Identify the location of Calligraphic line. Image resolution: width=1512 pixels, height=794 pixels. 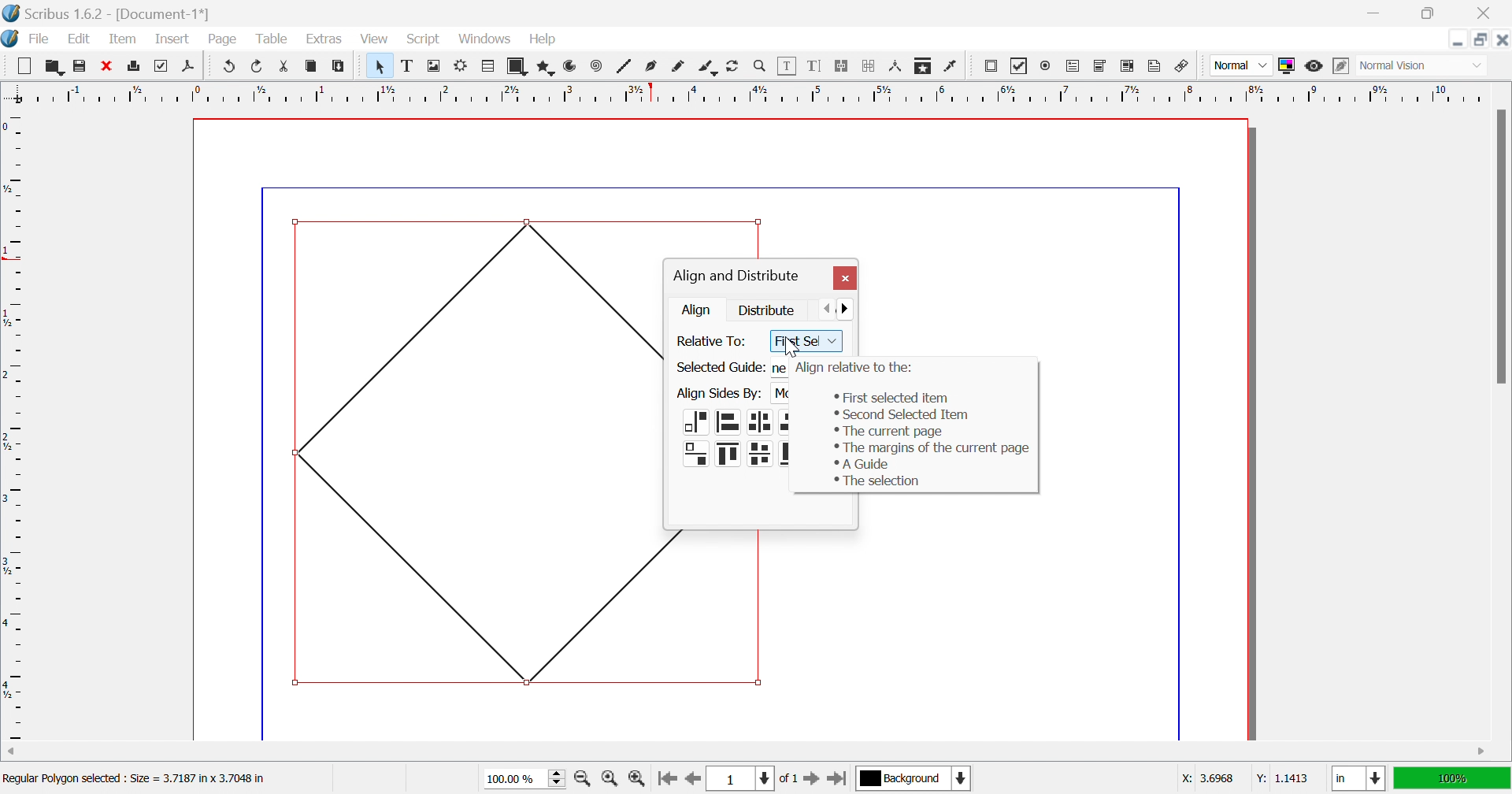
(707, 69).